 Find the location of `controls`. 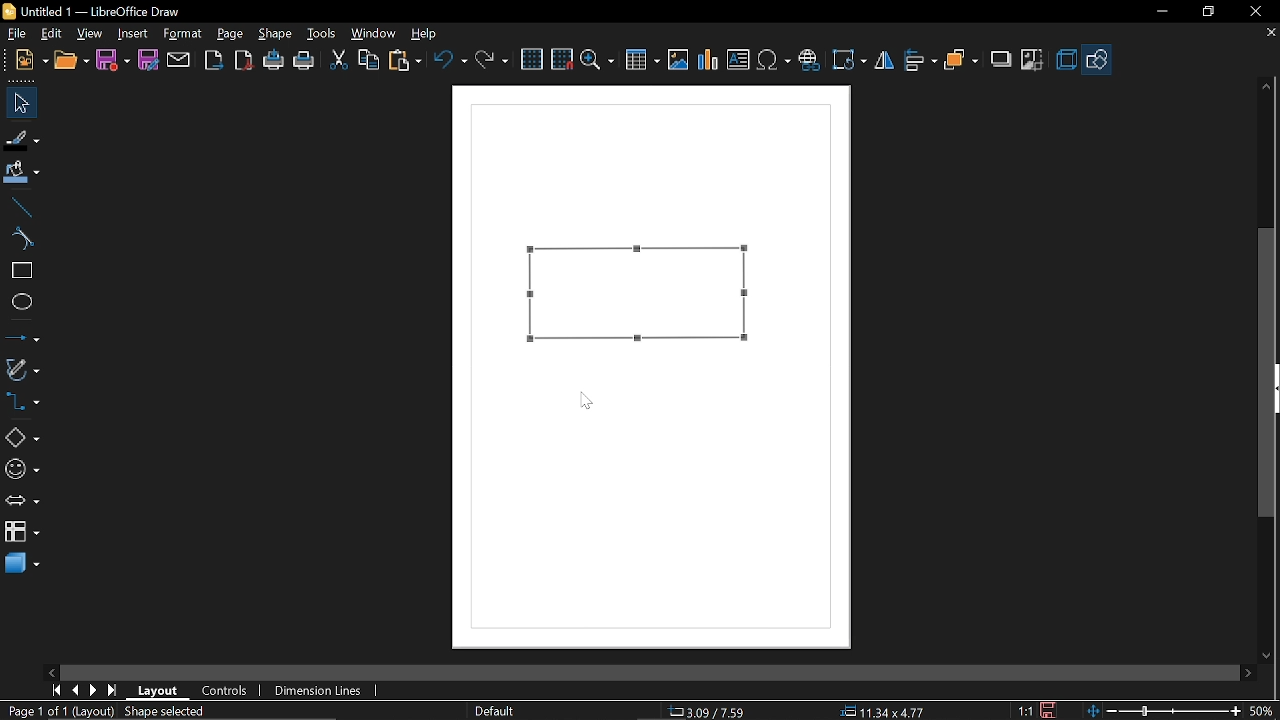

controls is located at coordinates (225, 692).